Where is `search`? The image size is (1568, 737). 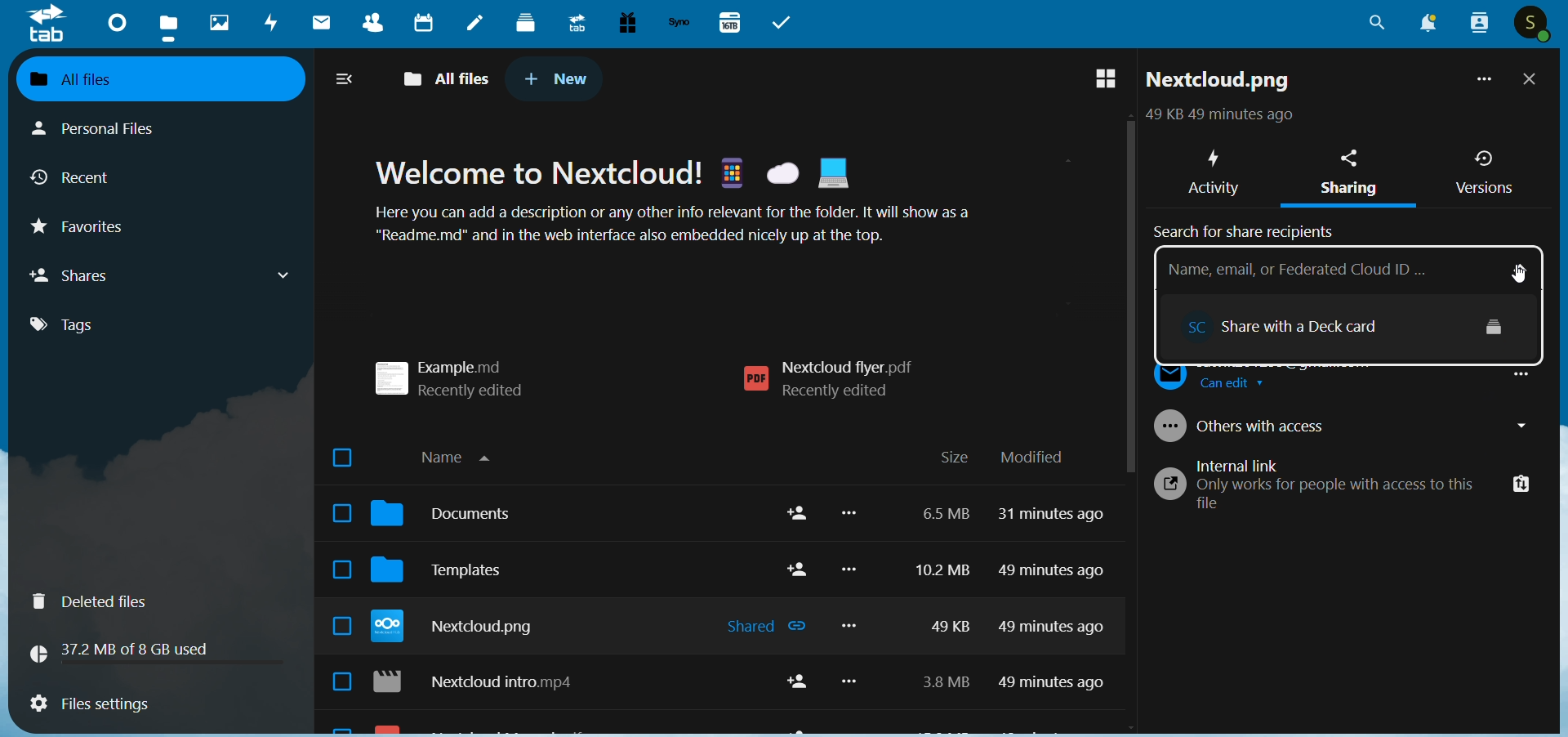
search is located at coordinates (1377, 28).